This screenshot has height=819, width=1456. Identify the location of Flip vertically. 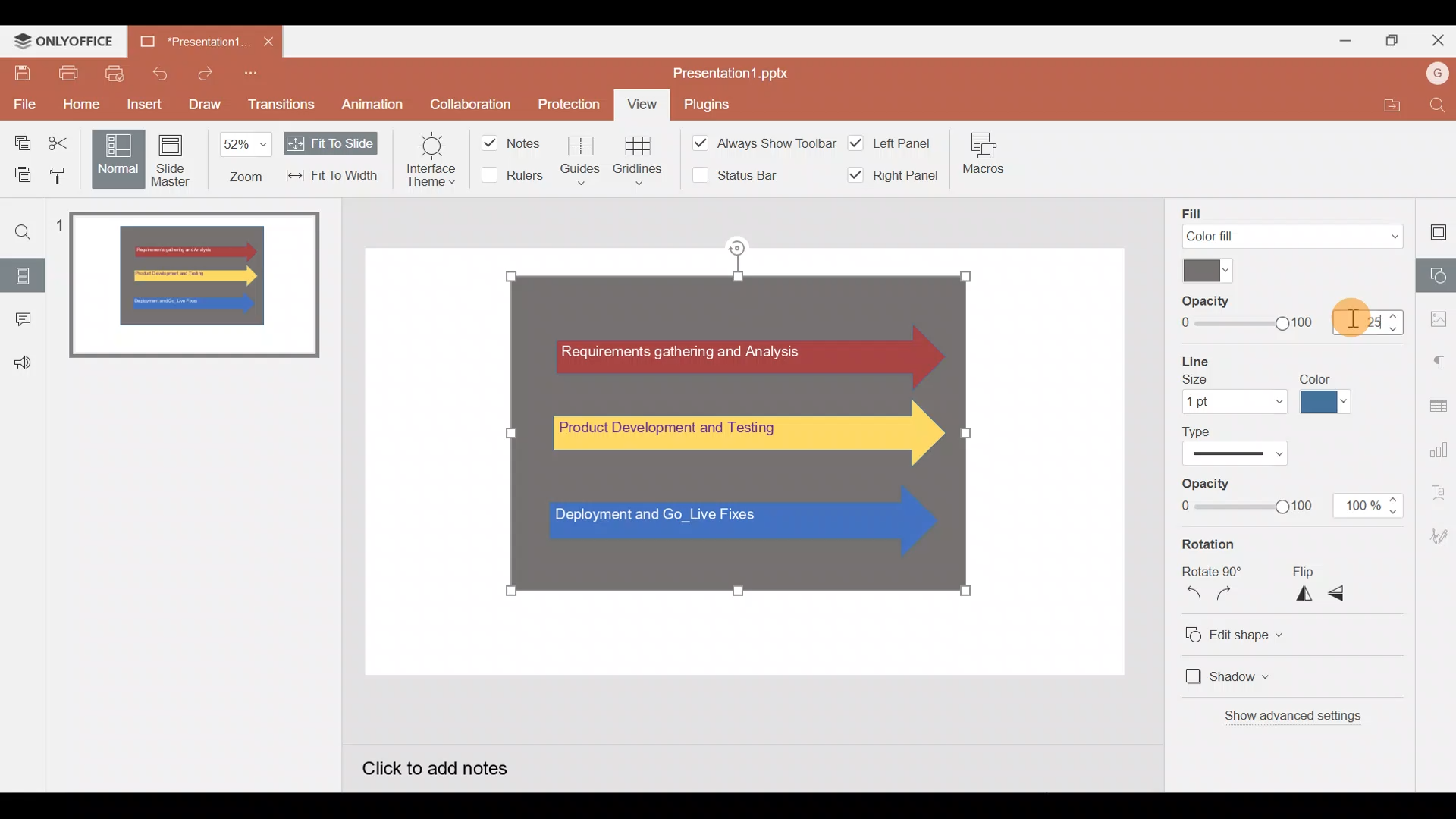
(1342, 593).